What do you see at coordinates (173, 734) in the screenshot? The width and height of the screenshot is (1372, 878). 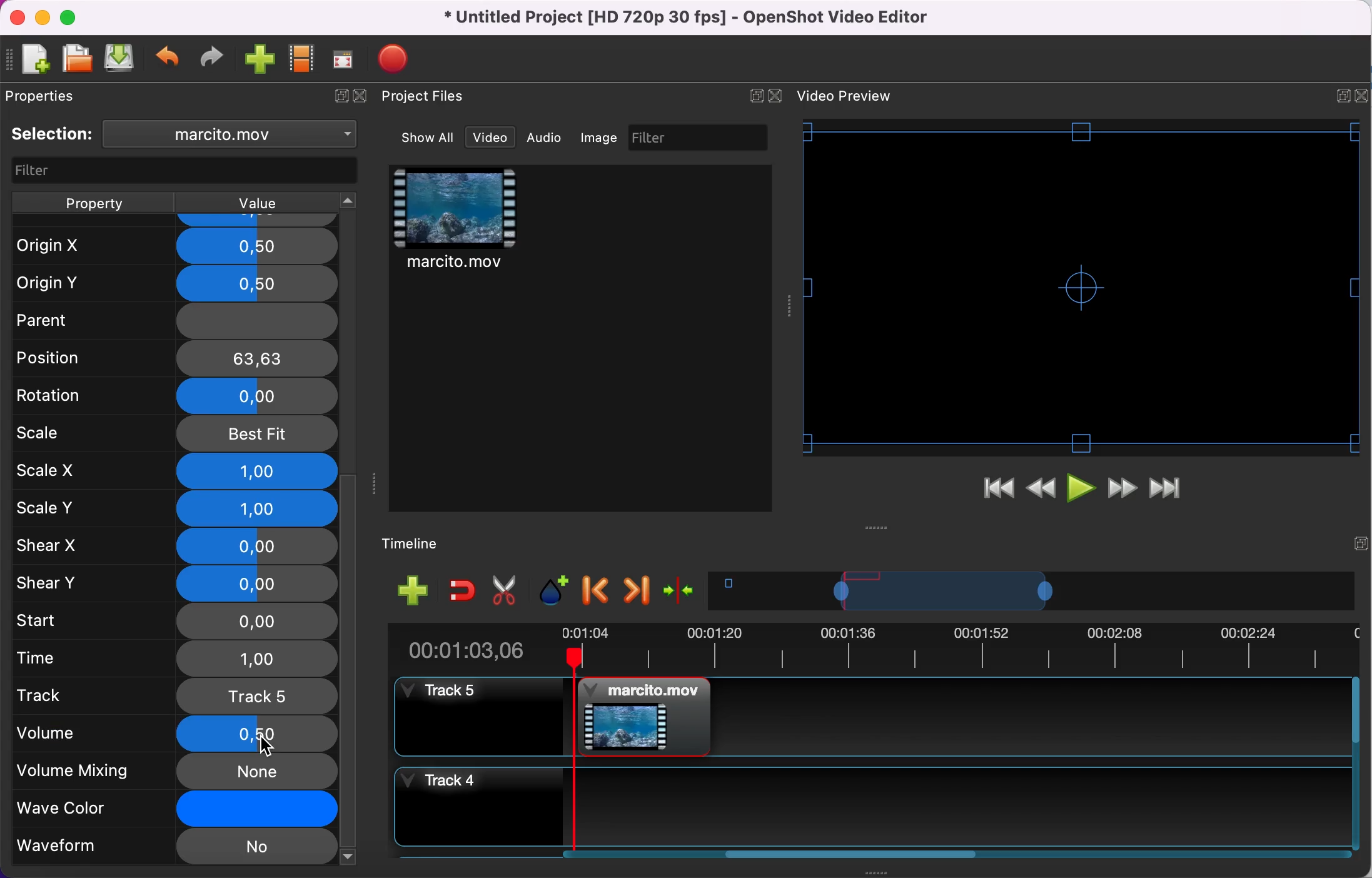 I see `volume modified` at bounding box center [173, 734].